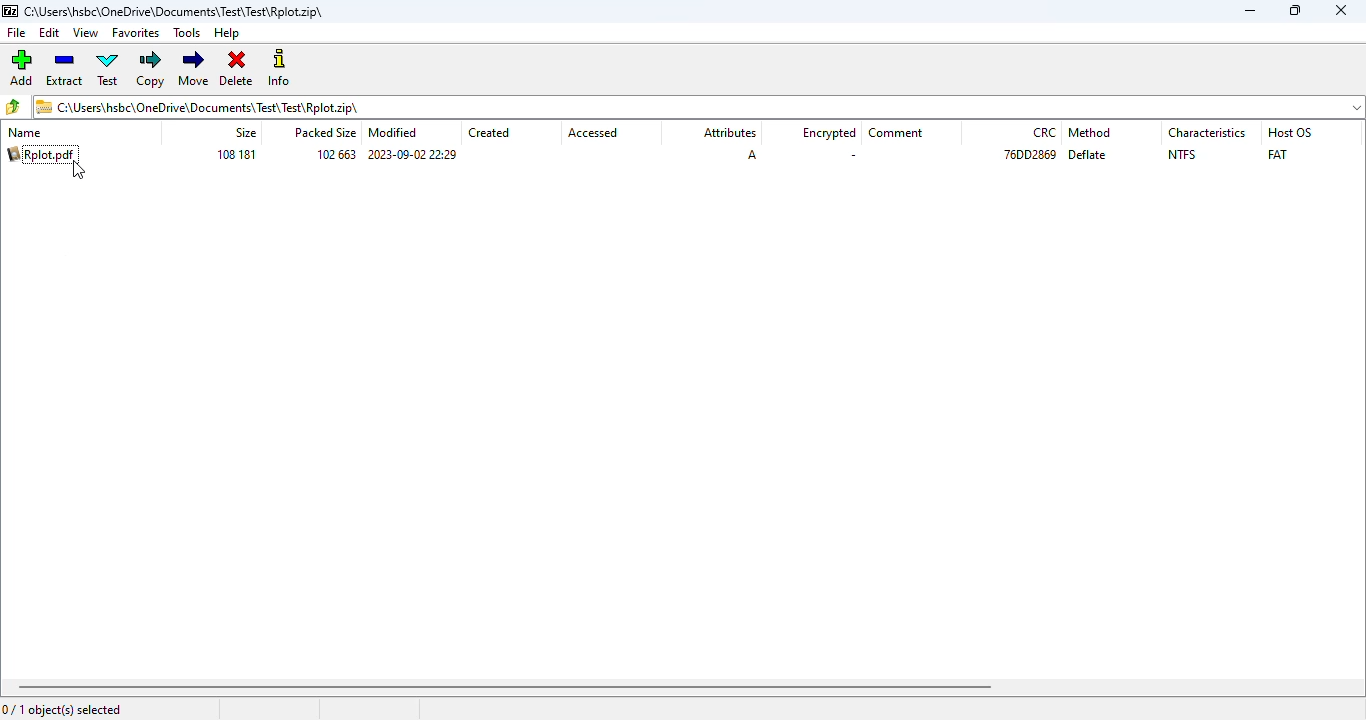 This screenshot has width=1366, height=720. I want to click on host OS, so click(1288, 132).